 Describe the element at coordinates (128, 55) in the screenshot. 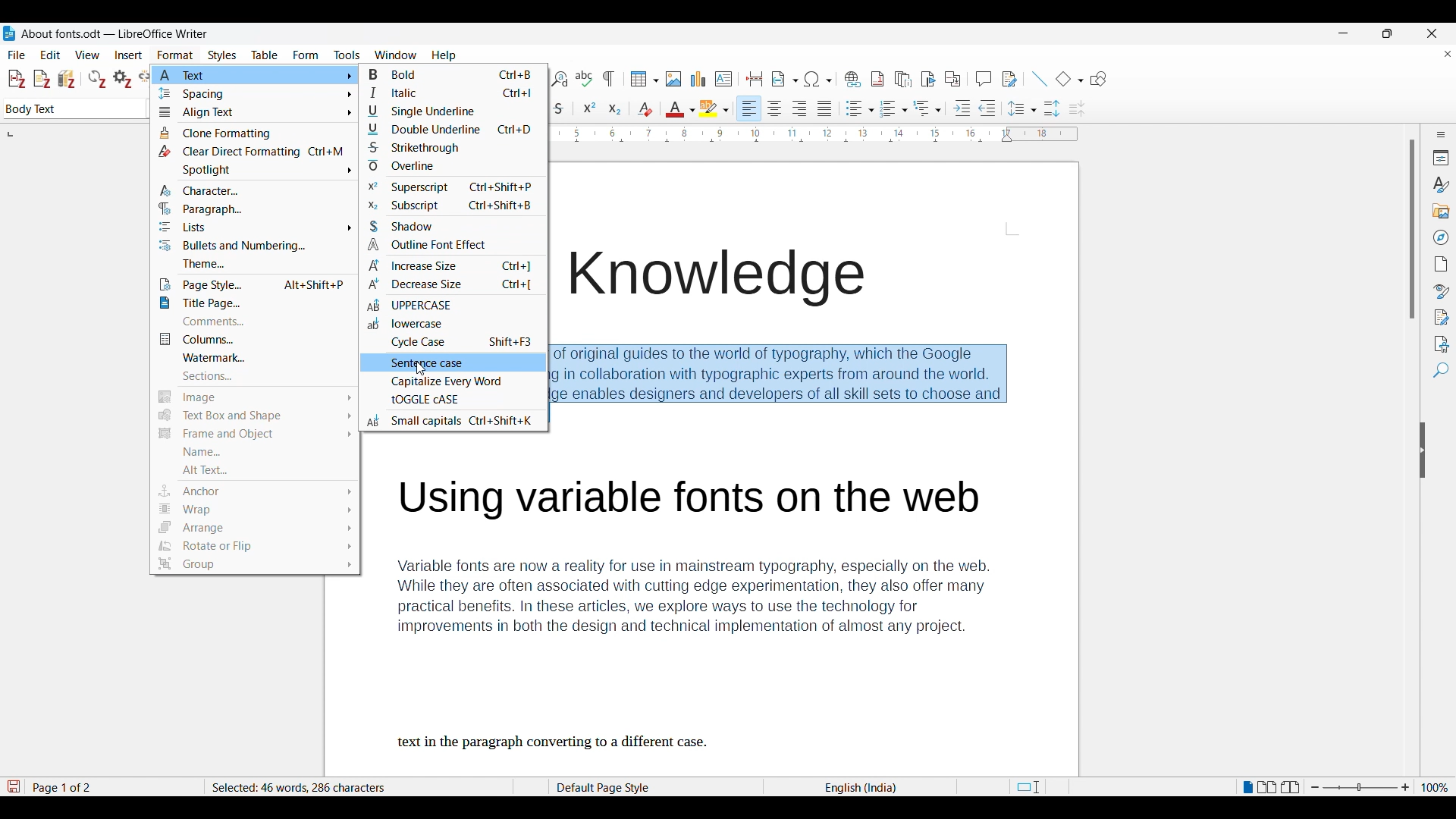

I see `Insert menu` at that location.